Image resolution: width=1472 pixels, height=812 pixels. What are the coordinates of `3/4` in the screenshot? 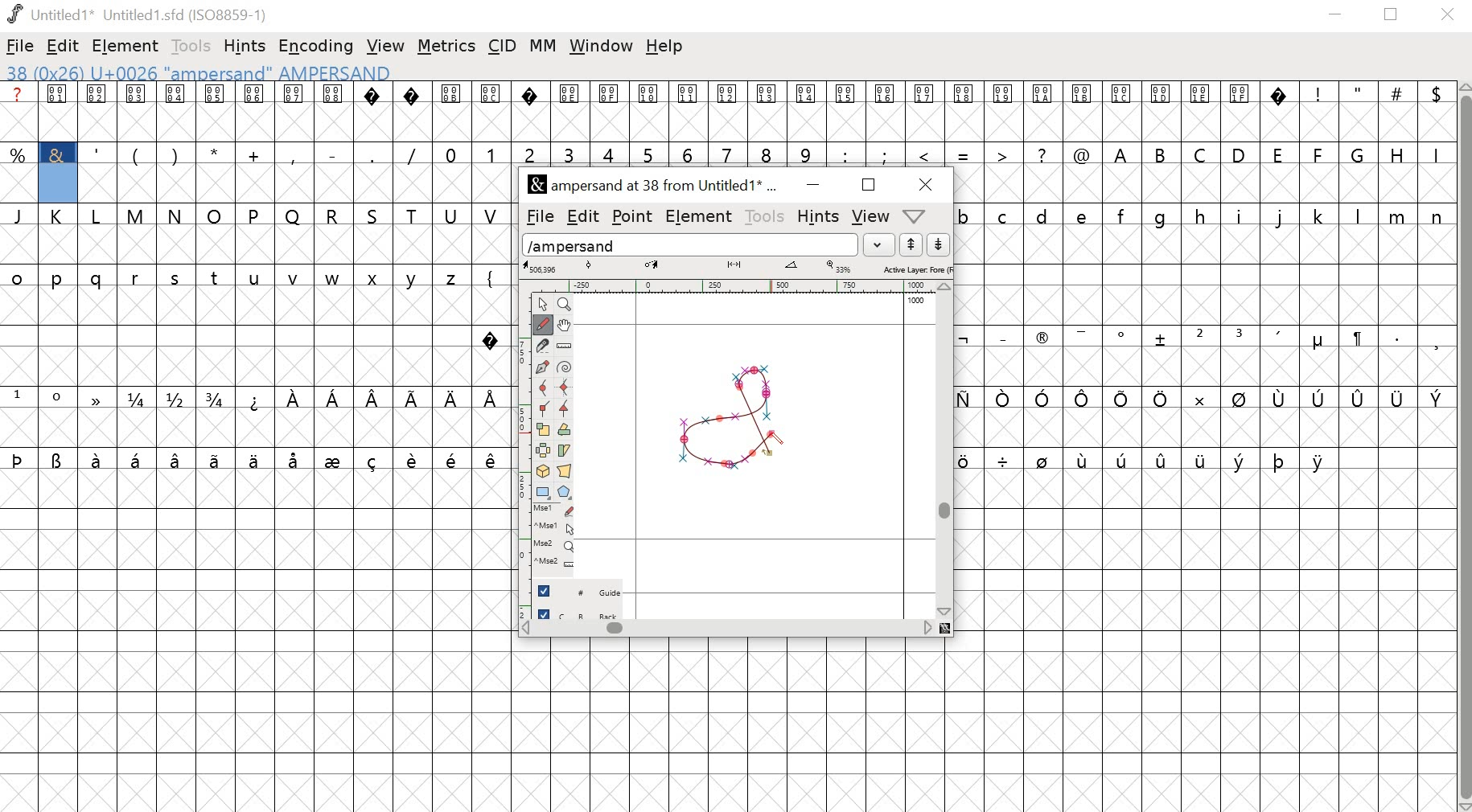 It's located at (218, 399).